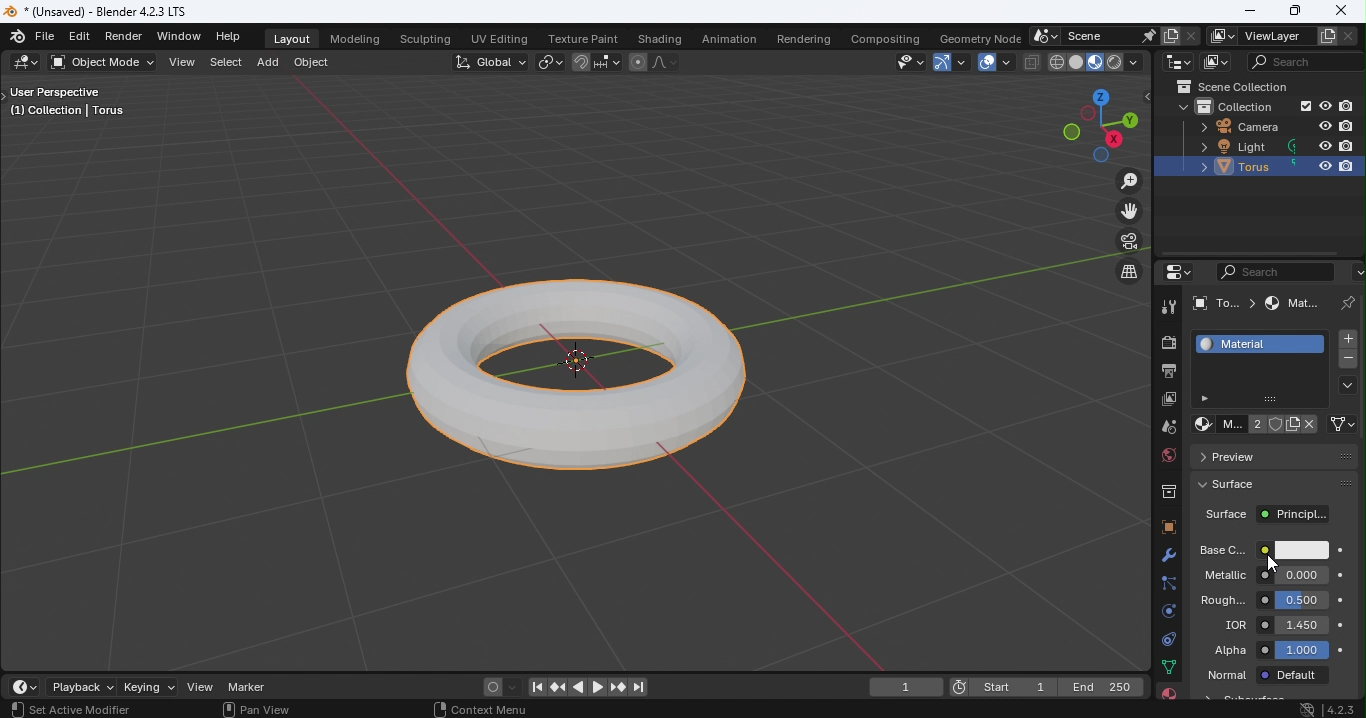 Image resolution: width=1366 pixels, height=718 pixels. Describe the element at coordinates (979, 36) in the screenshot. I see `Geometry node` at that location.